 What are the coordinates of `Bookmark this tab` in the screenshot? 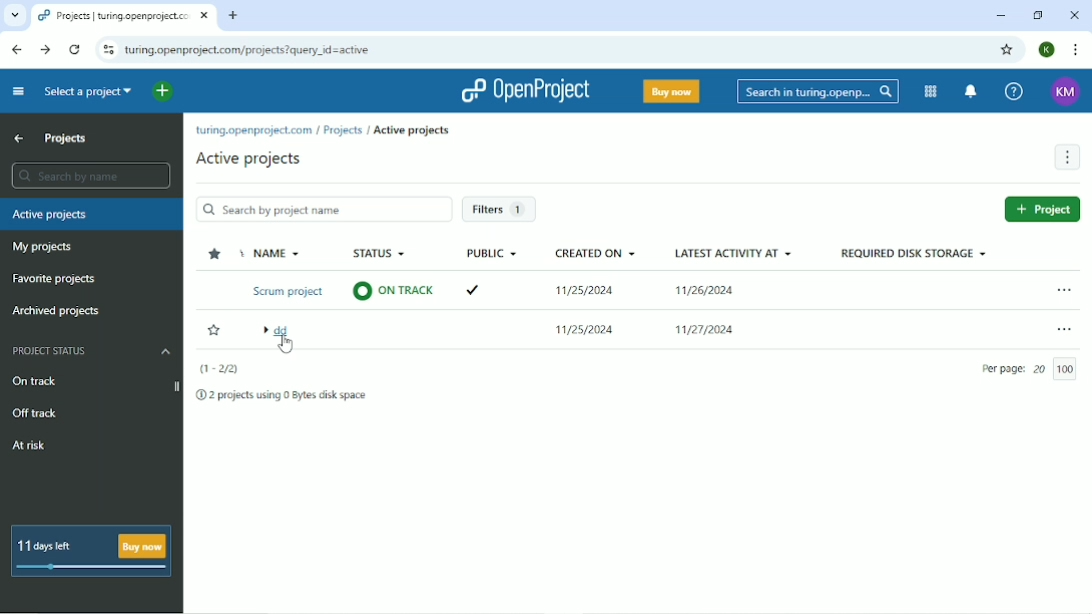 It's located at (1005, 48).